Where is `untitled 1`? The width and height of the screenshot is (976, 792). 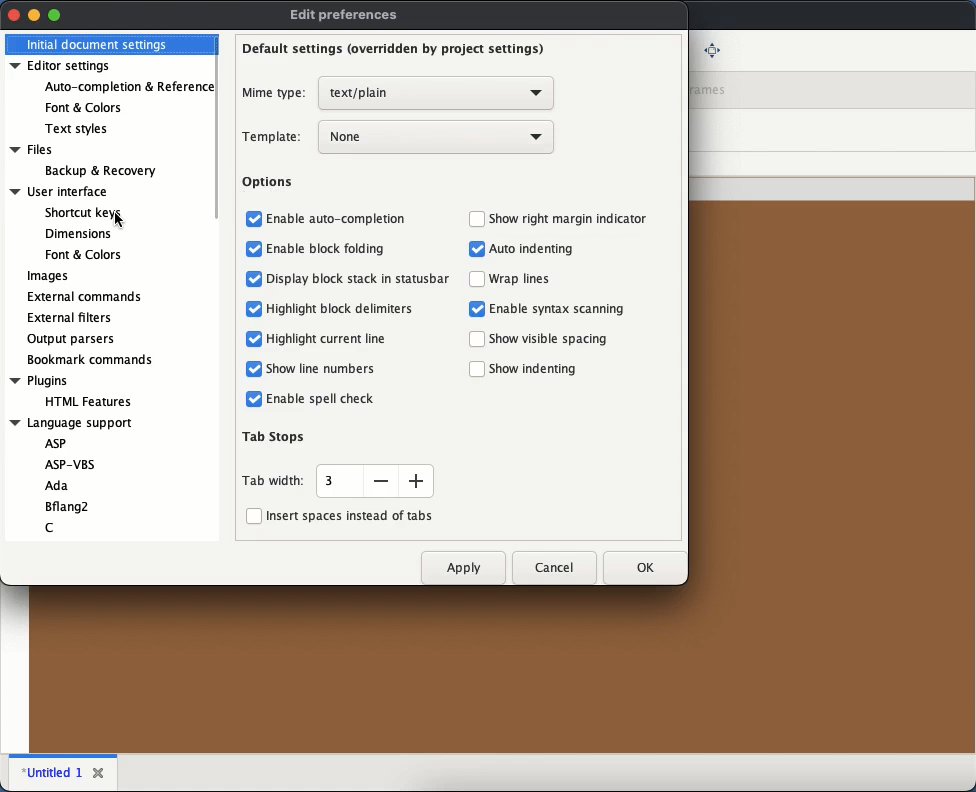
untitled 1 is located at coordinates (51, 772).